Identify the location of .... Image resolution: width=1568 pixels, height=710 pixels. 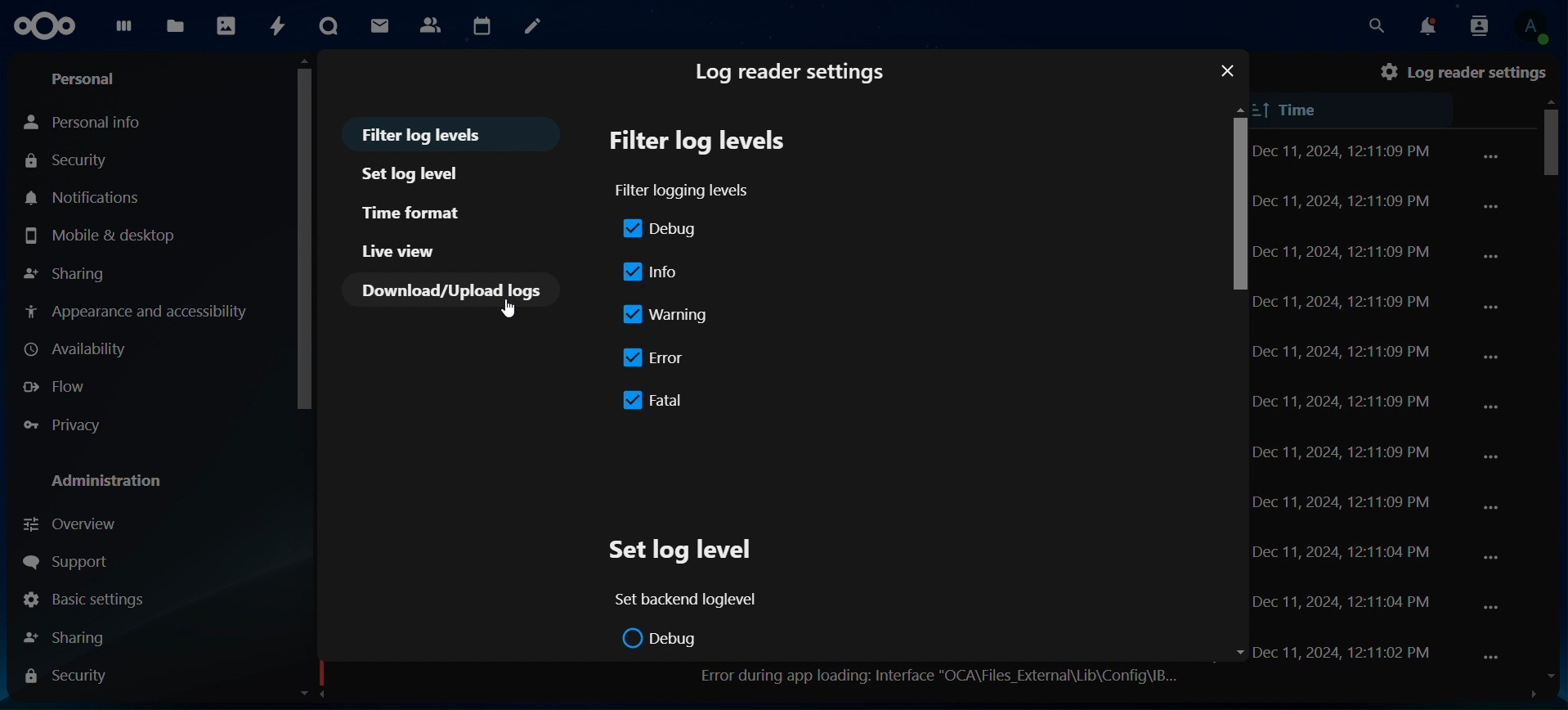
(1494, 255).